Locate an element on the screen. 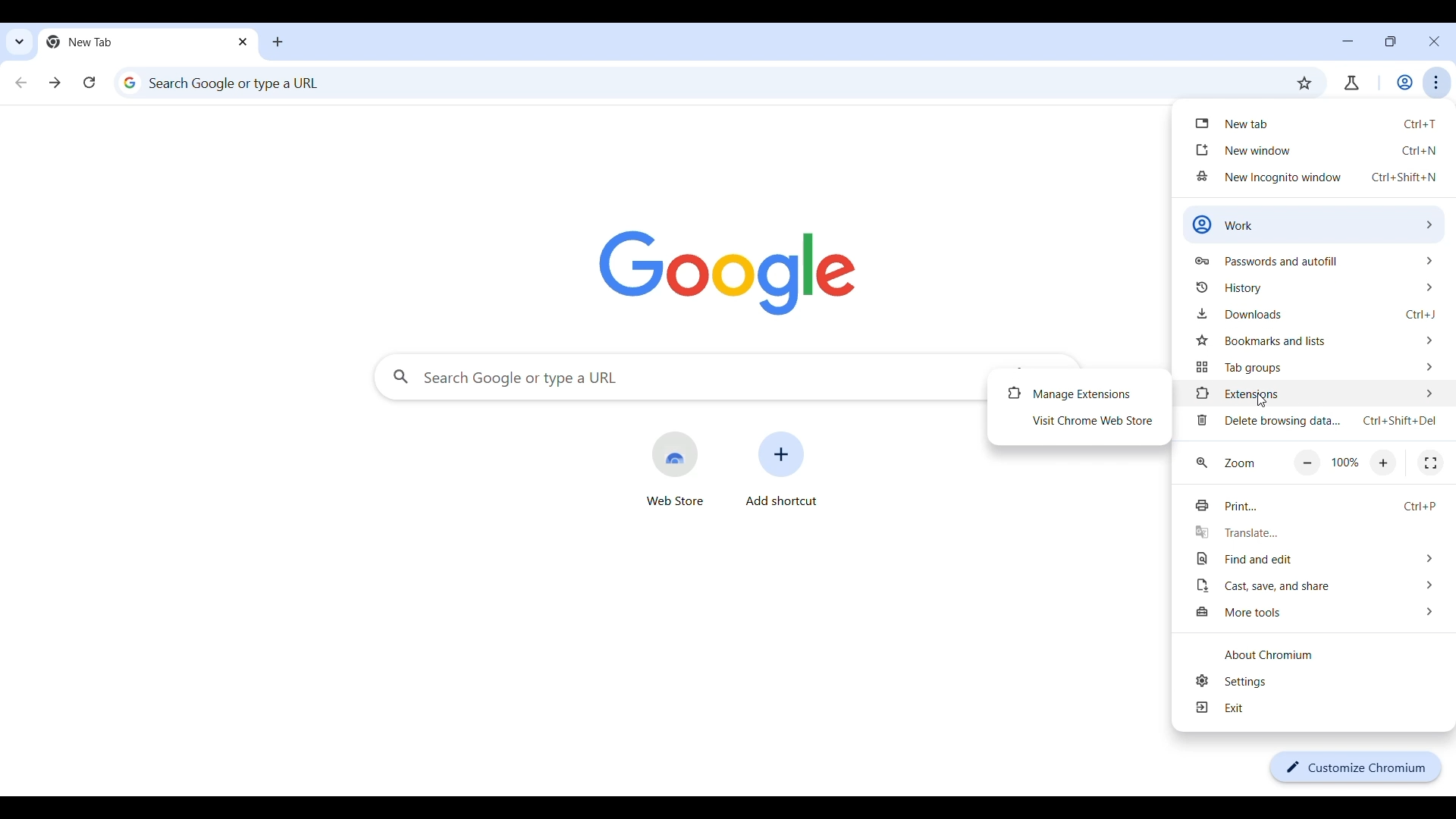 The image size is (1456, 819). Current/Default zoom factor of the page is located at coordinates (1345, 462).